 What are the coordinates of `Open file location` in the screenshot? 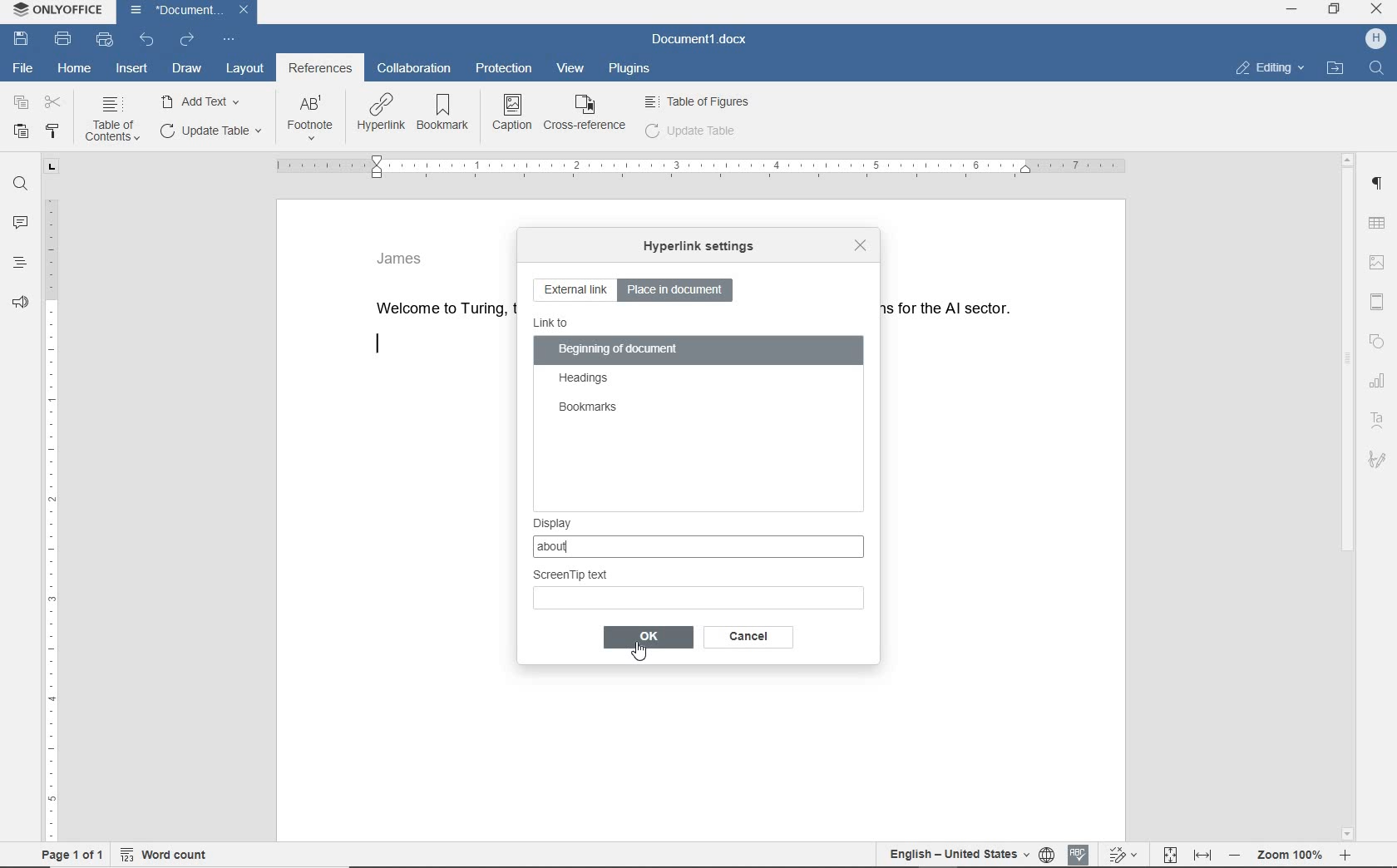 It's located at (1340, 65).